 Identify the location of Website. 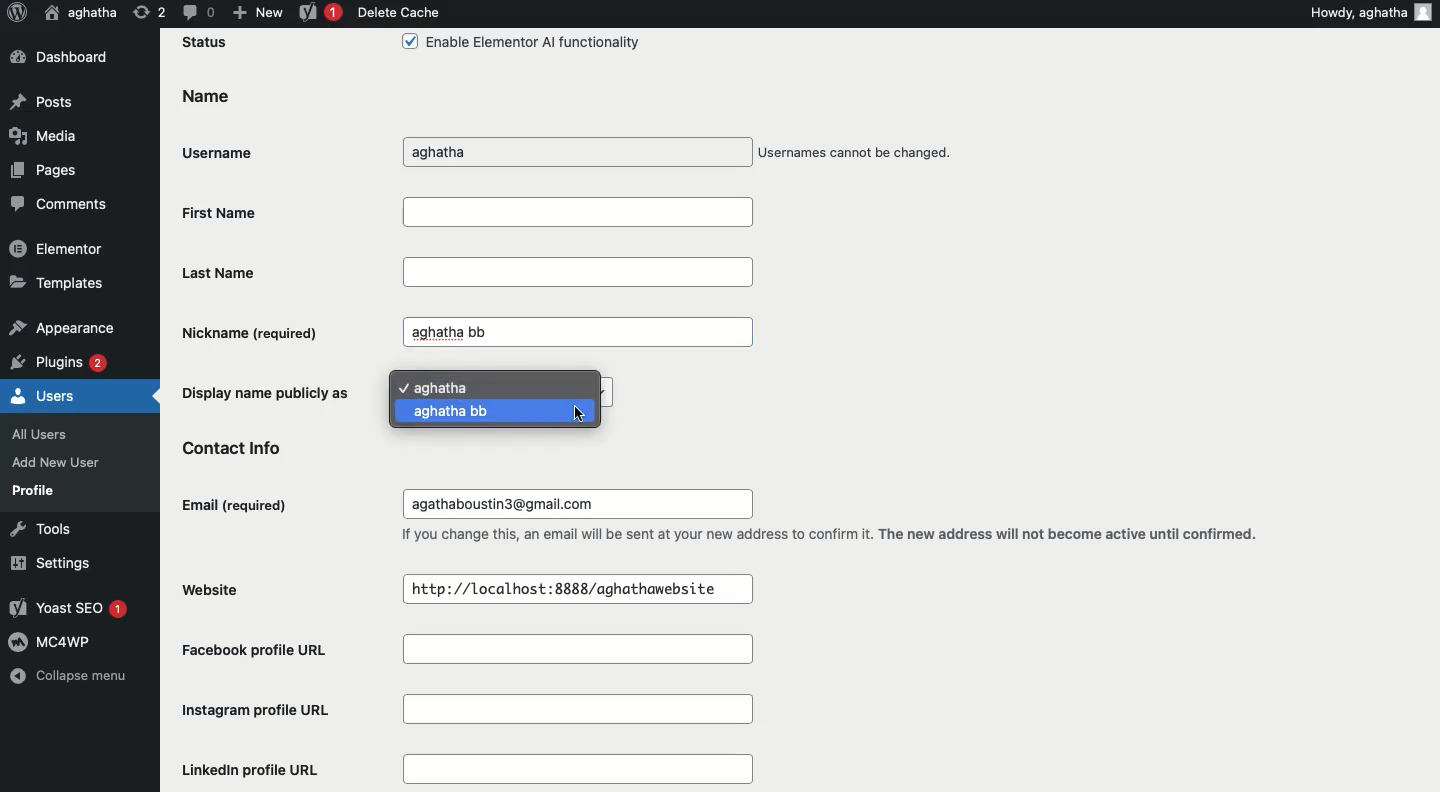
(220, 588).